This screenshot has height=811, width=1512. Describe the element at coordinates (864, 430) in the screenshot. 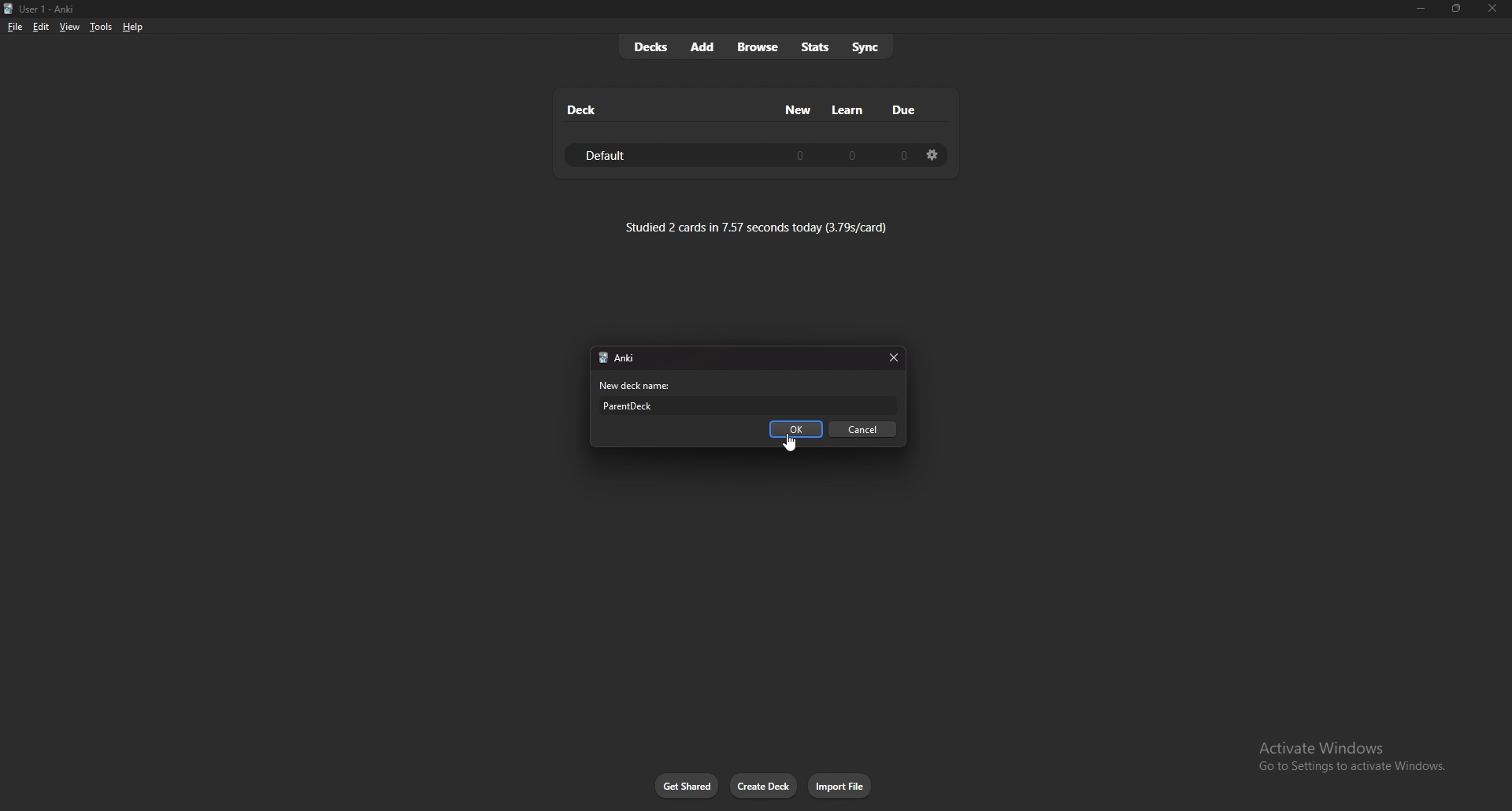

I see `cancel` at that location.